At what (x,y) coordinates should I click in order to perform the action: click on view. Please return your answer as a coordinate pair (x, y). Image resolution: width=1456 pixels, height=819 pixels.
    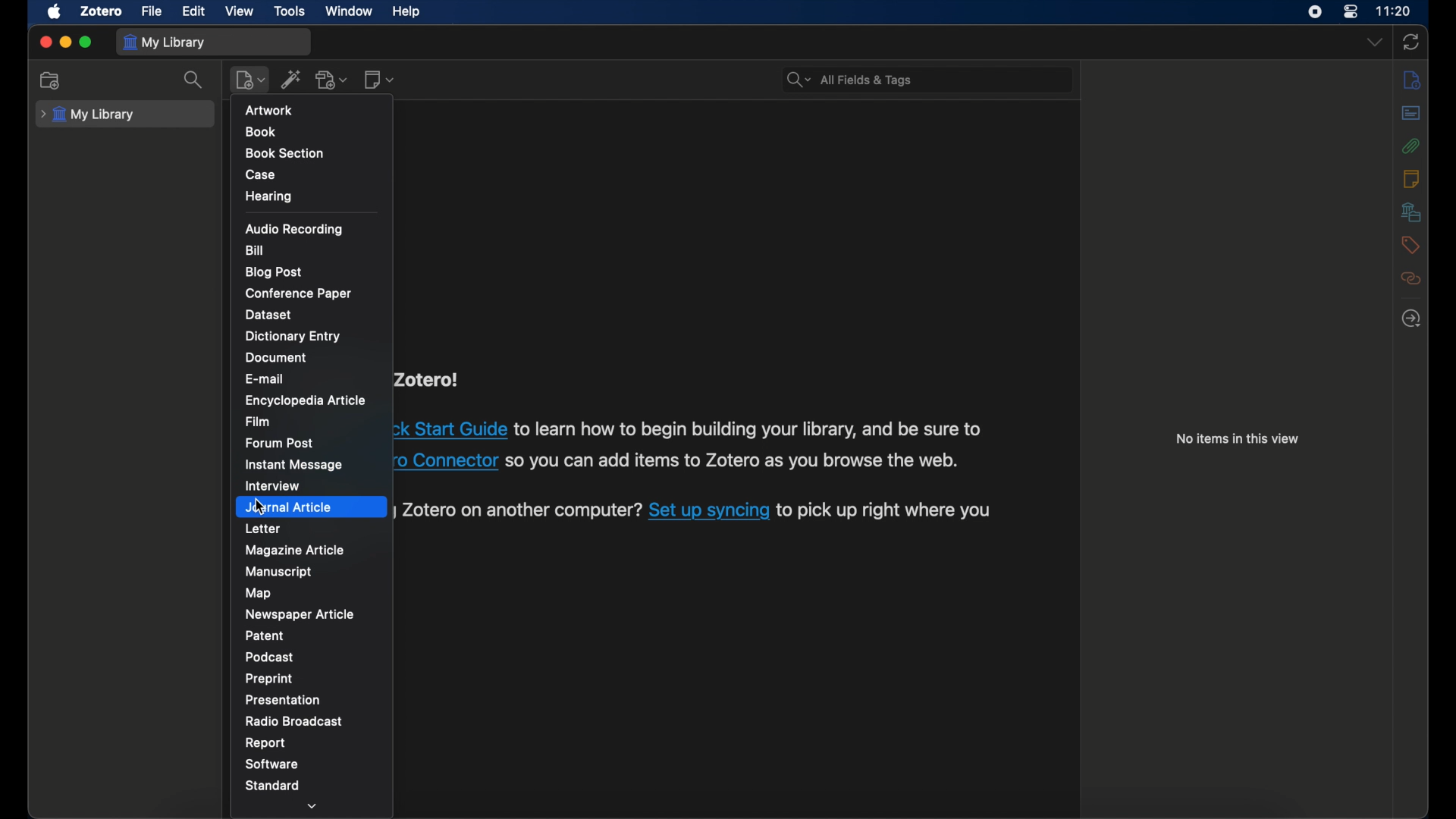
    Looking at the image, I should click on (240, 11).